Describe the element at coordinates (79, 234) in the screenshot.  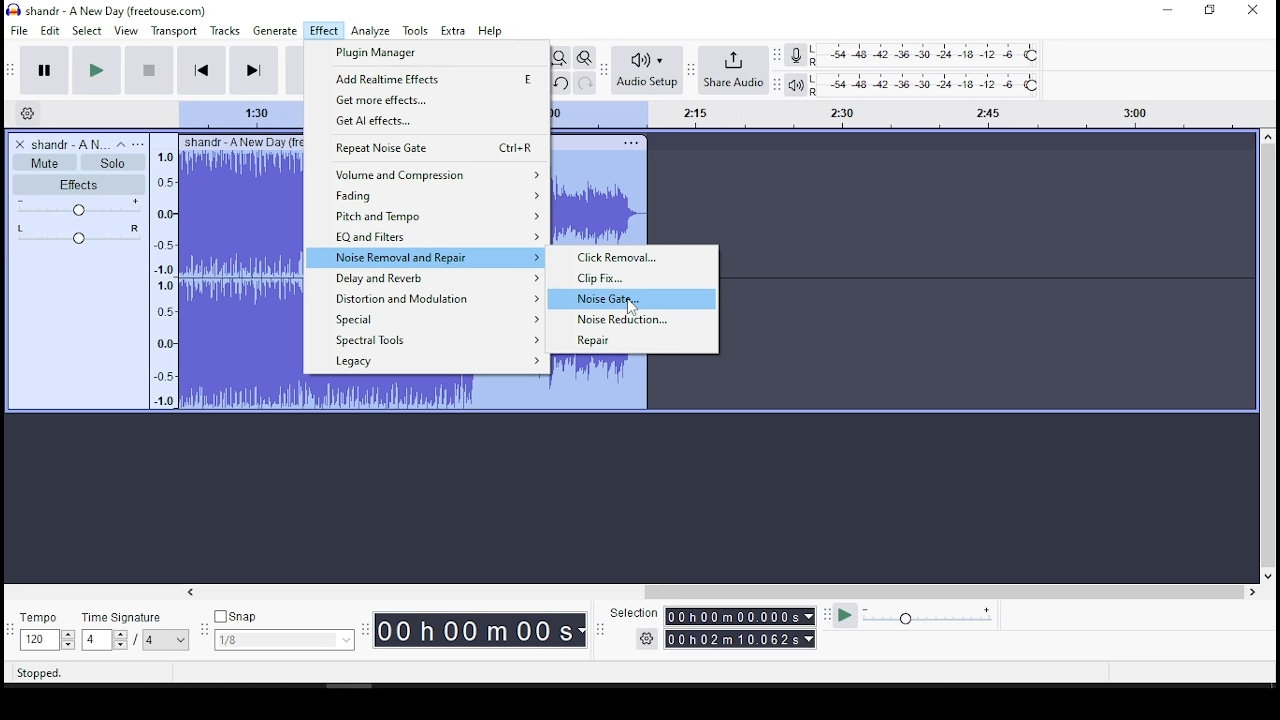
I see `pan` at that location.